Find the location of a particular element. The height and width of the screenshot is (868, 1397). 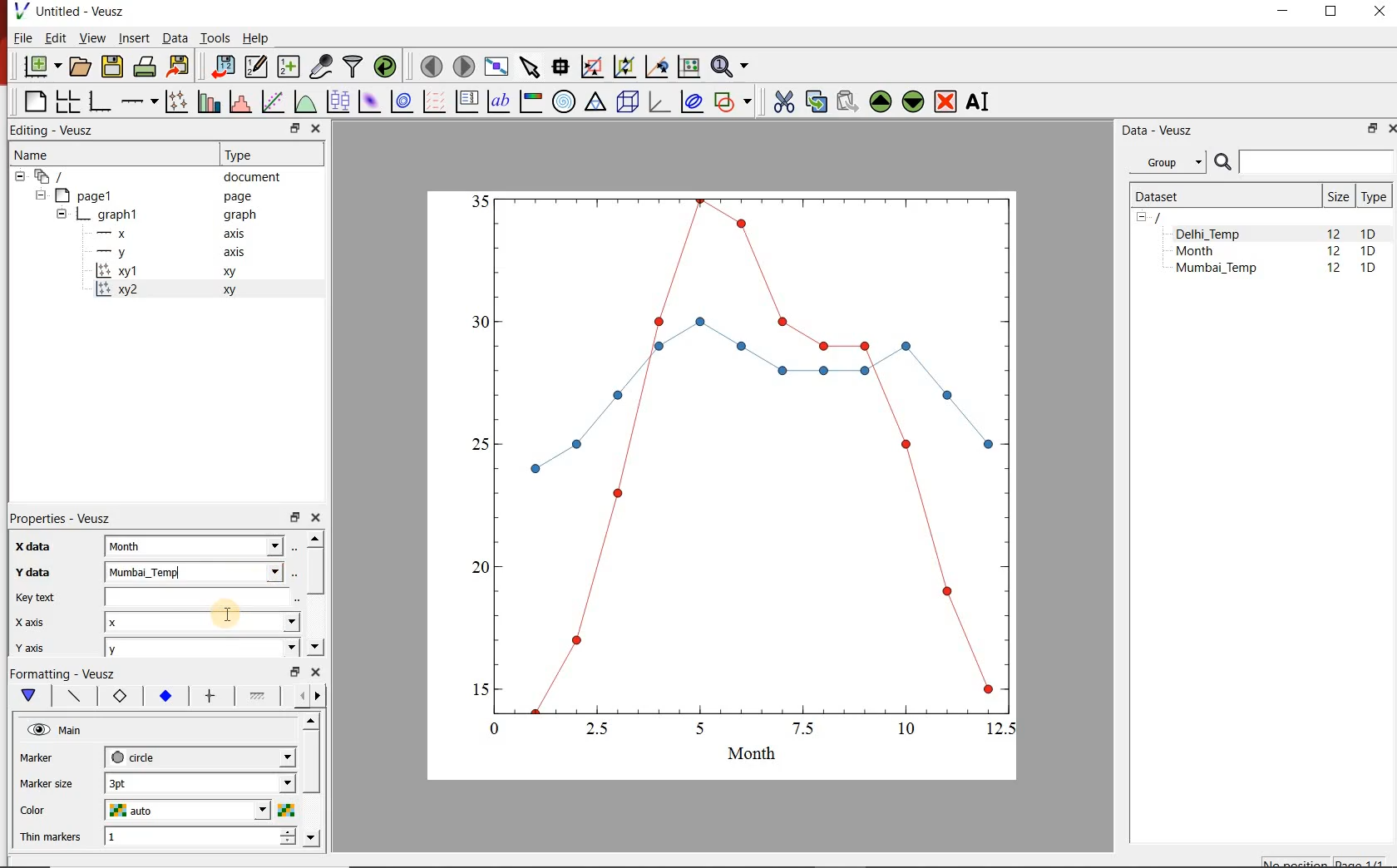

polar graph is located at coordinates (565, 103).